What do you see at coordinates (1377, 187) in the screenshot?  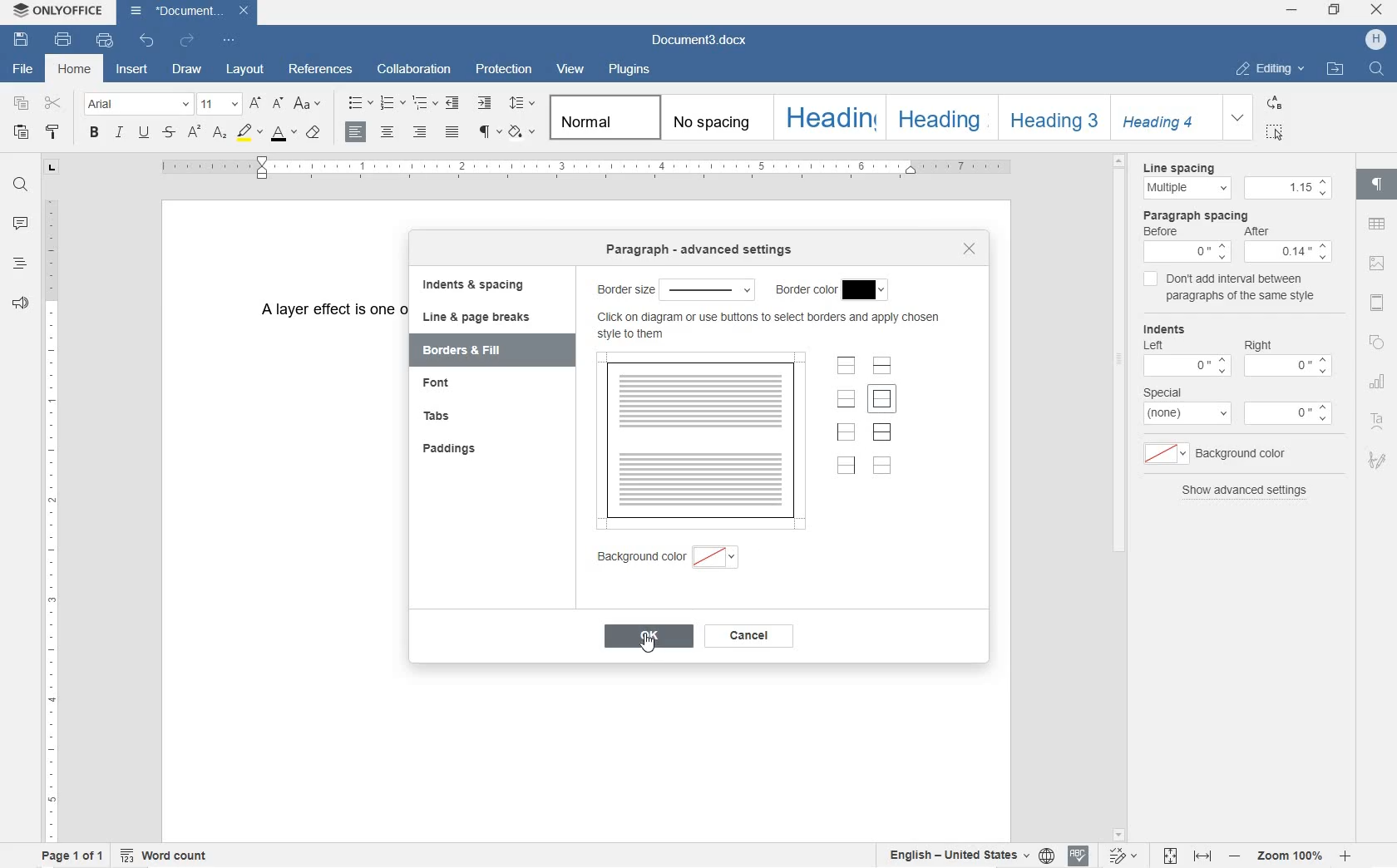 I see `PARAGRAPH SETTINGS` at bounding box center [1377, 187].